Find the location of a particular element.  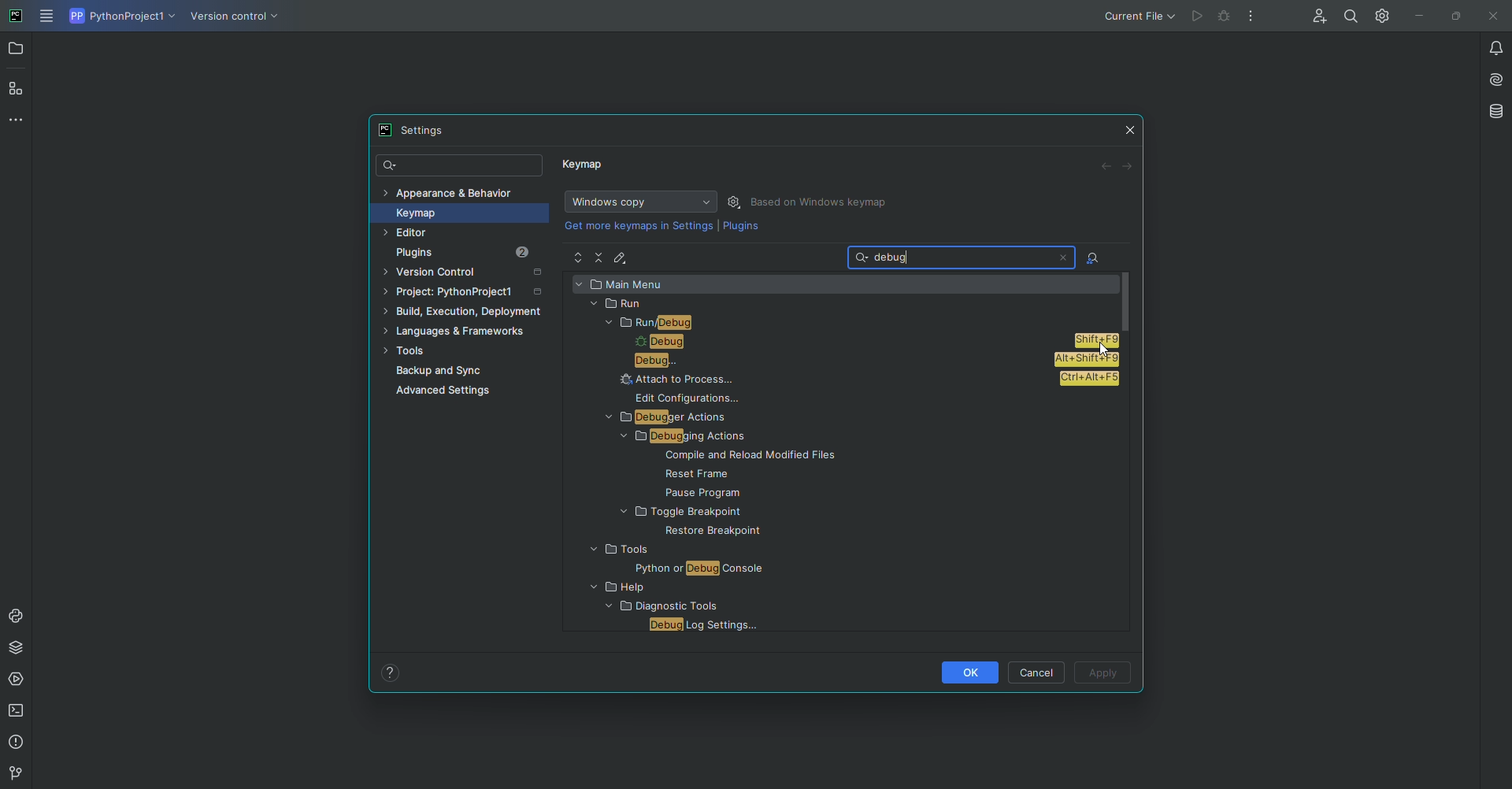

FOLDER NAME is located at coordinates (727, 513).